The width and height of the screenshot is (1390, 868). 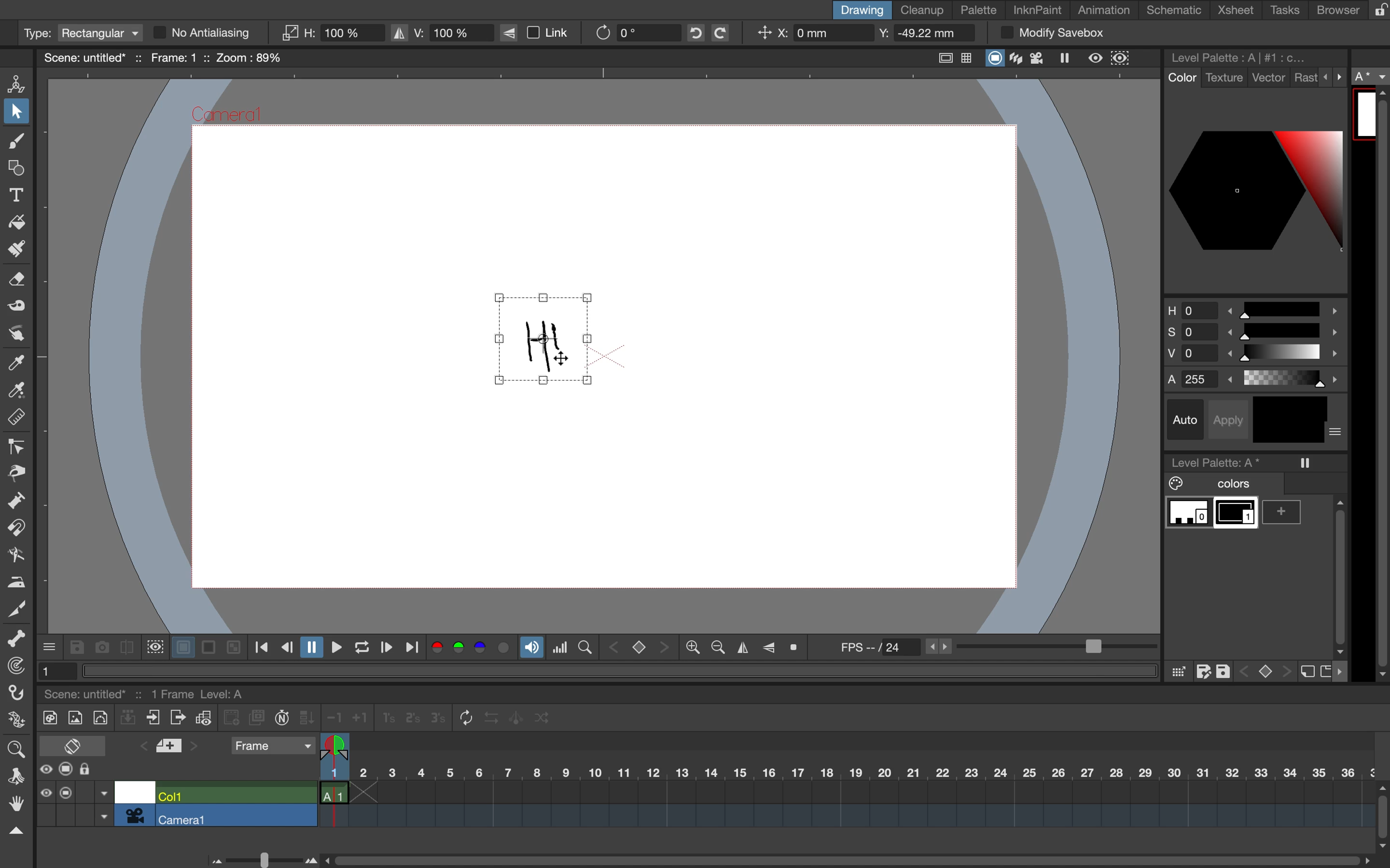 What do you see at coordinates (1069, 60) in the screenshot?
I see `freeze` at bounding box center [1069, 60].